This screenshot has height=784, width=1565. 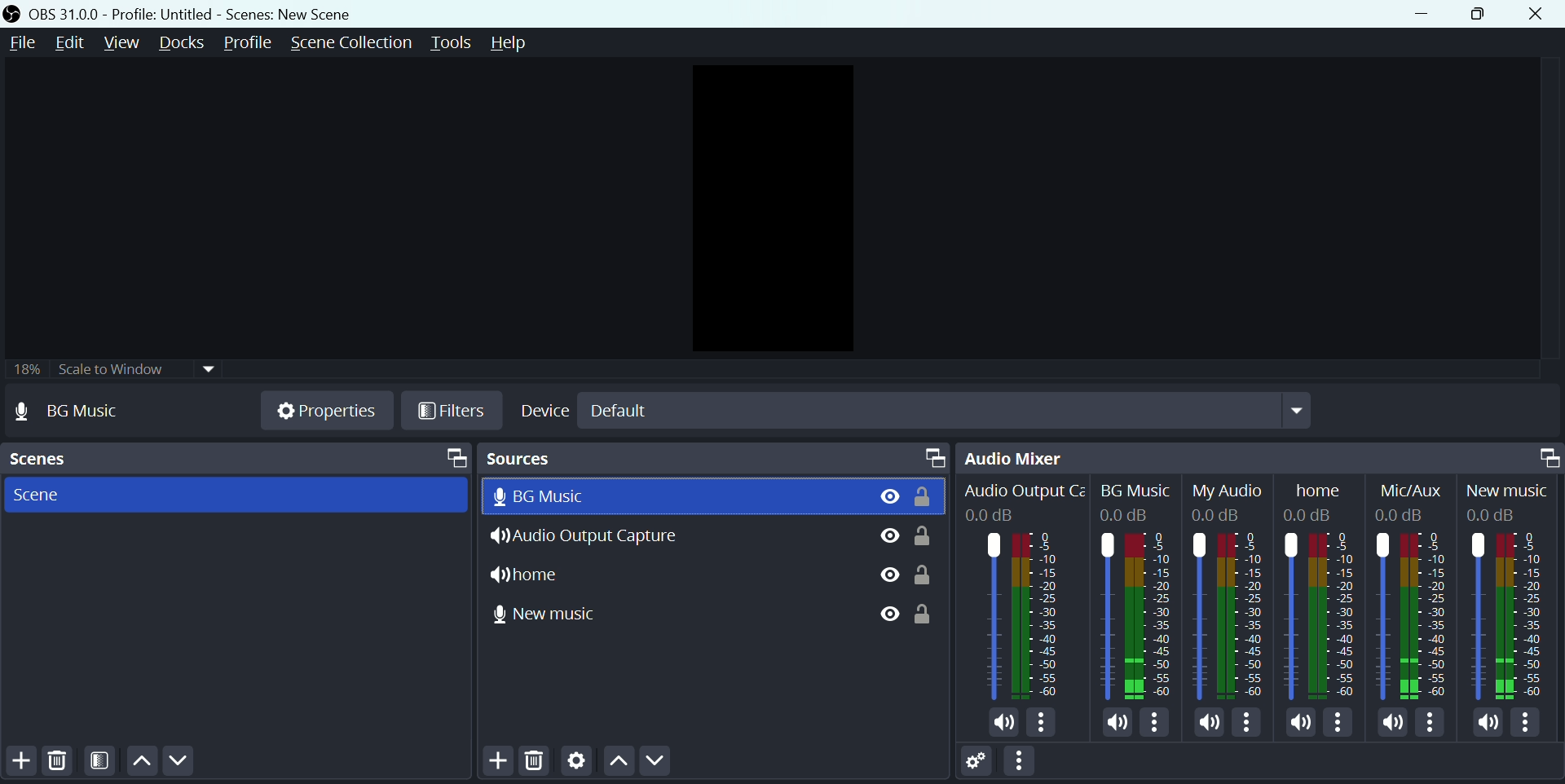 I want to click on File, so click(x=24, y=44).